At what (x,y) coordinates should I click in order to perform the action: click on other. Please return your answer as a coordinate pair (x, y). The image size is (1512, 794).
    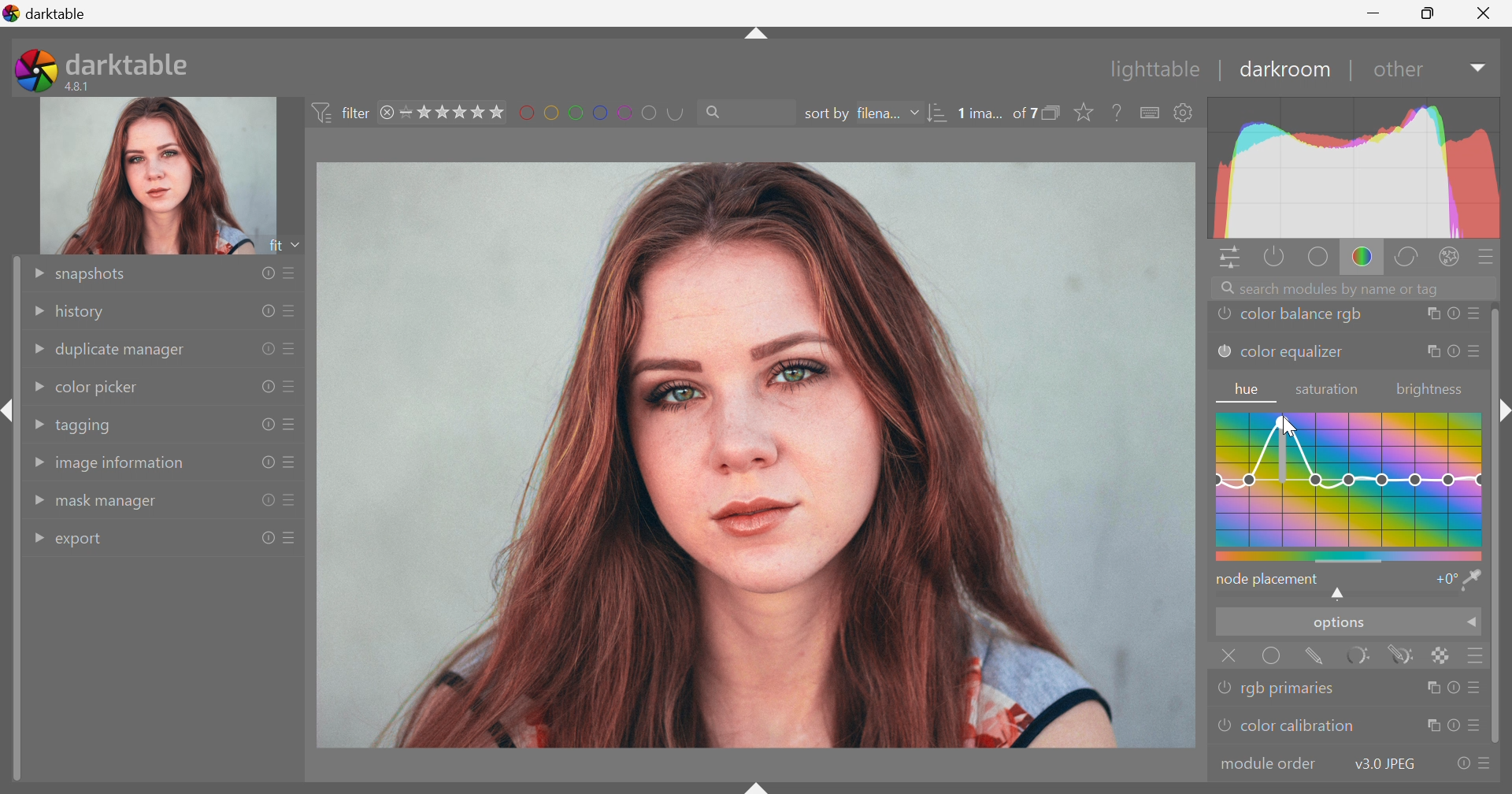
    Looking at the image, I should click on (1397, 72).